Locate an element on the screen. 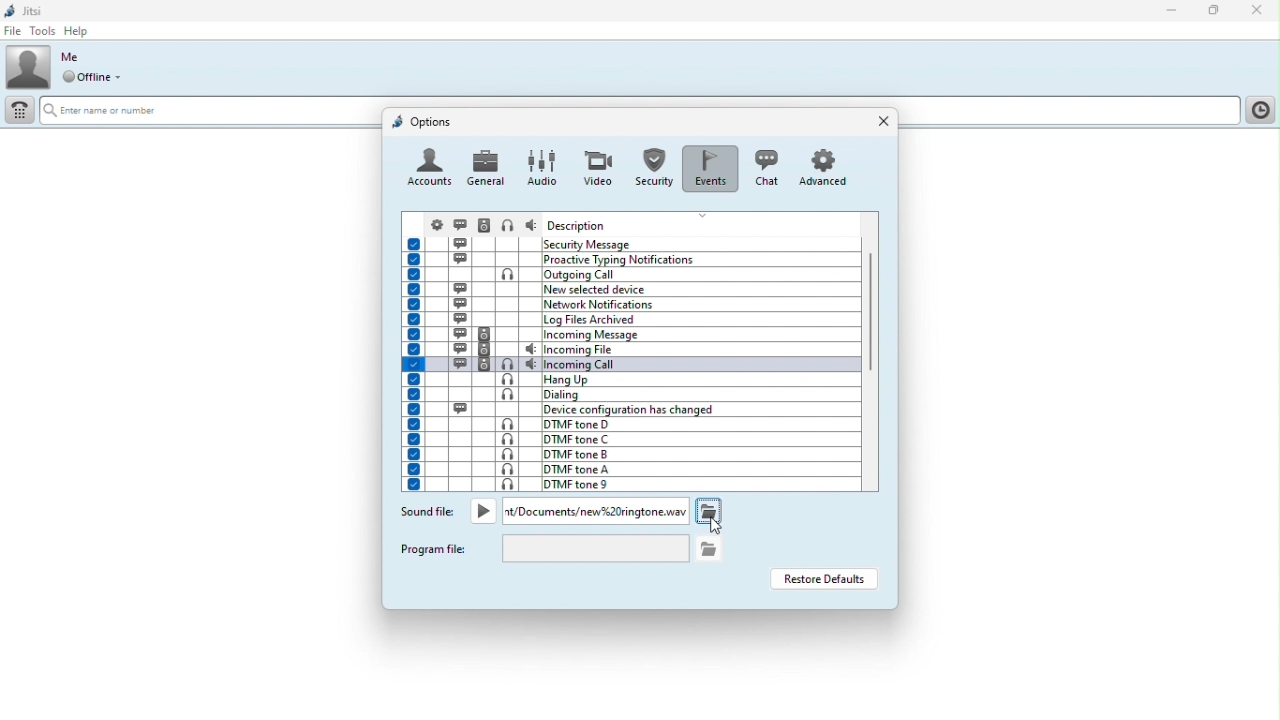 The image size is (1280, 720). DTMF tone A is located at coordinates (626, 469).